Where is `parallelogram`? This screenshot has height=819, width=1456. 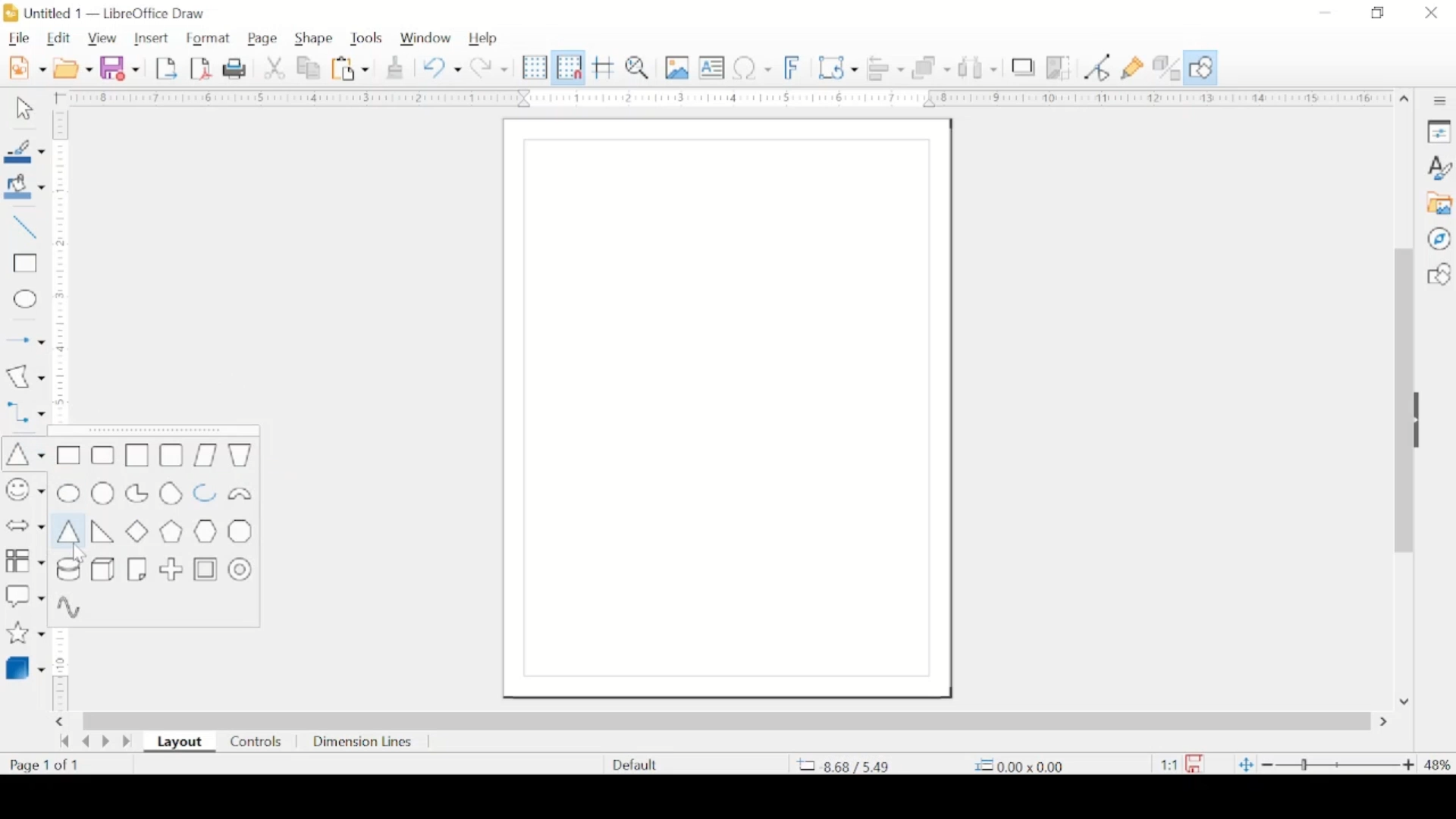 parallelogram is located at coordinates (207, 456).